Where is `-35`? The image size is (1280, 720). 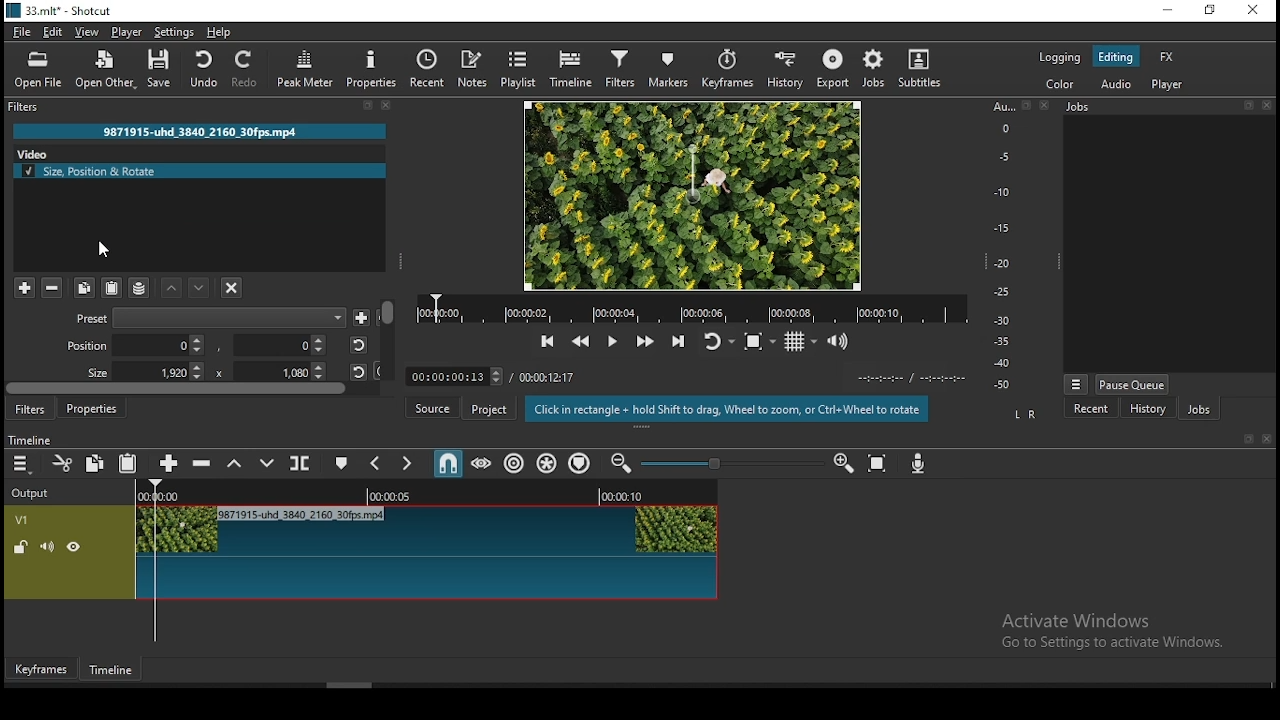 -35 is located at coordinates (1000, 339).